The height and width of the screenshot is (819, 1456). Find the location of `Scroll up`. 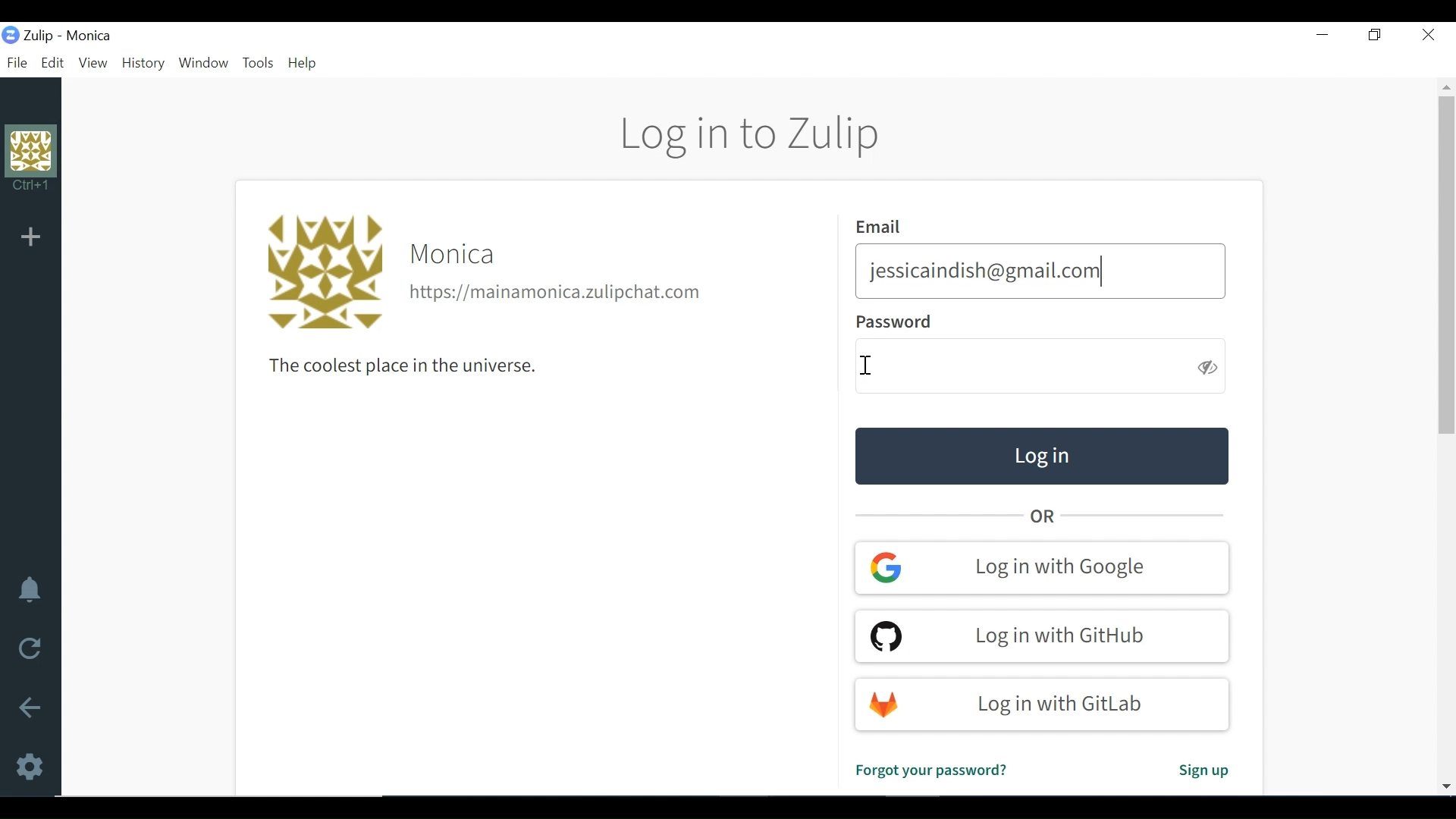

Scroll up is located at coordinates (1447, 86).